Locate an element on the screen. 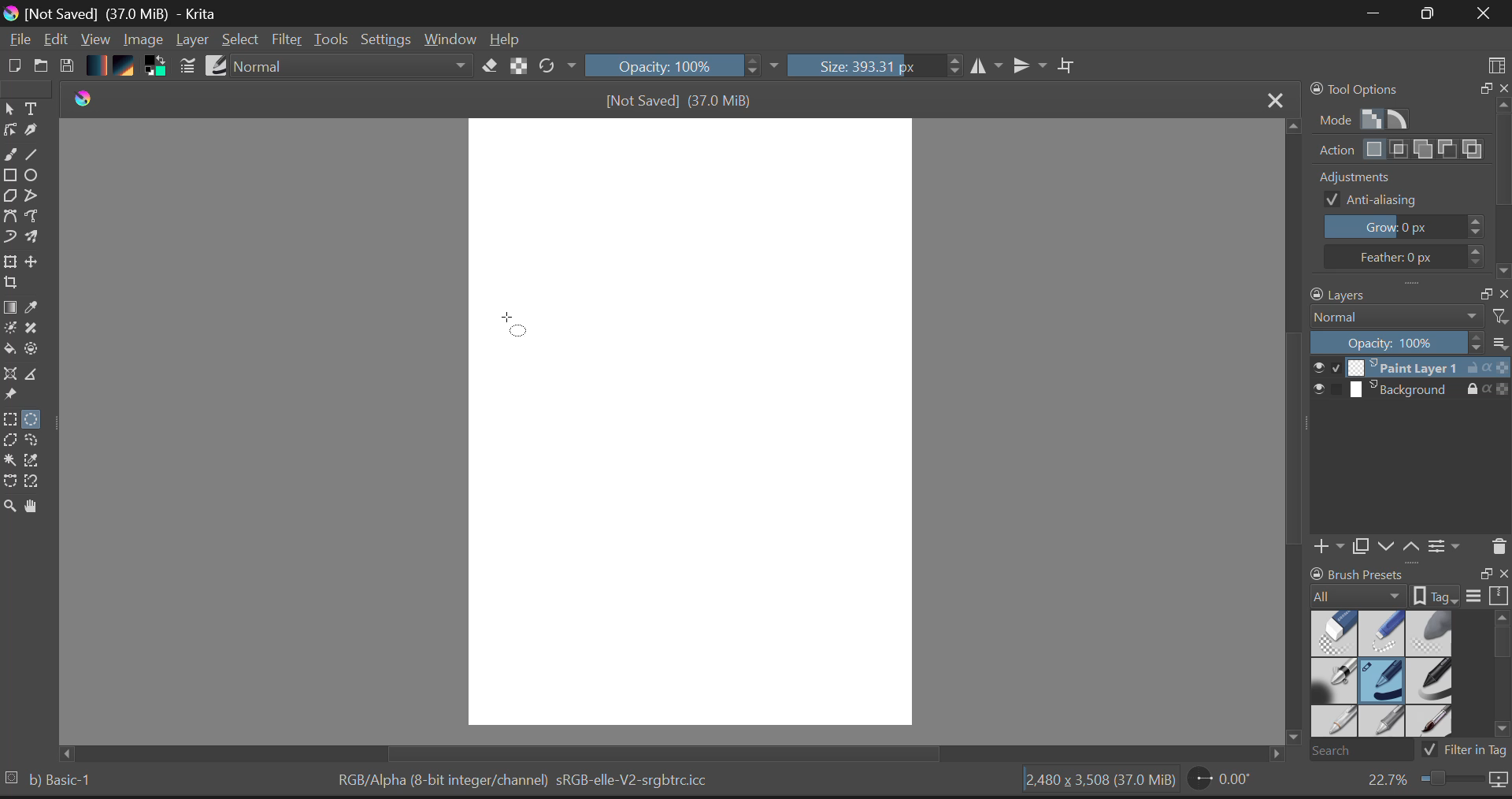 The width and height of the screenshot is (1512, 799). Continuous Selection is located at coordinates (13, 461).